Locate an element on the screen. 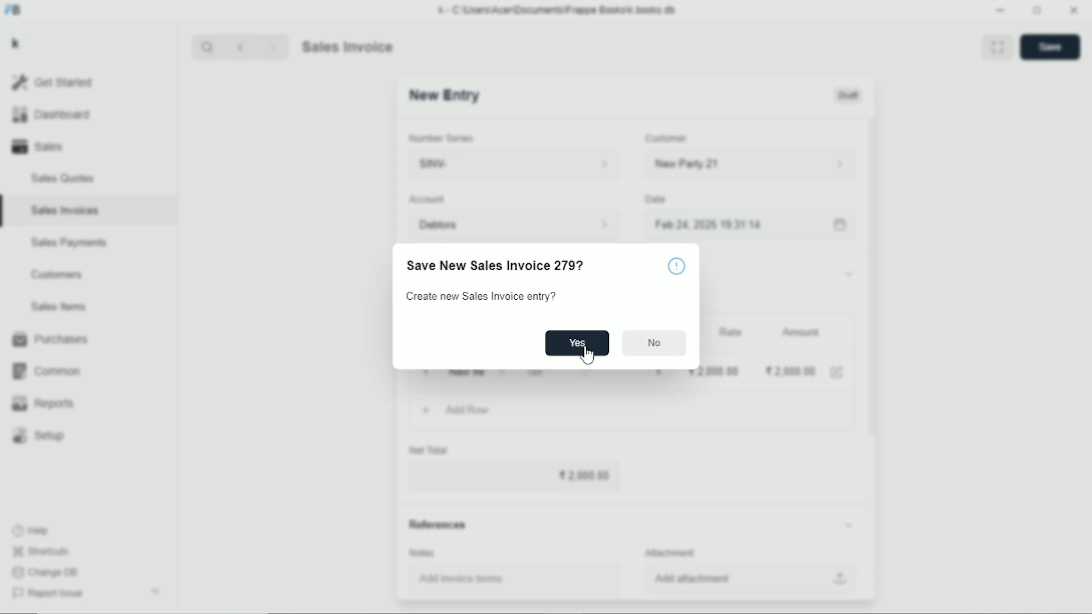  No is located at coordinates (656, 343).